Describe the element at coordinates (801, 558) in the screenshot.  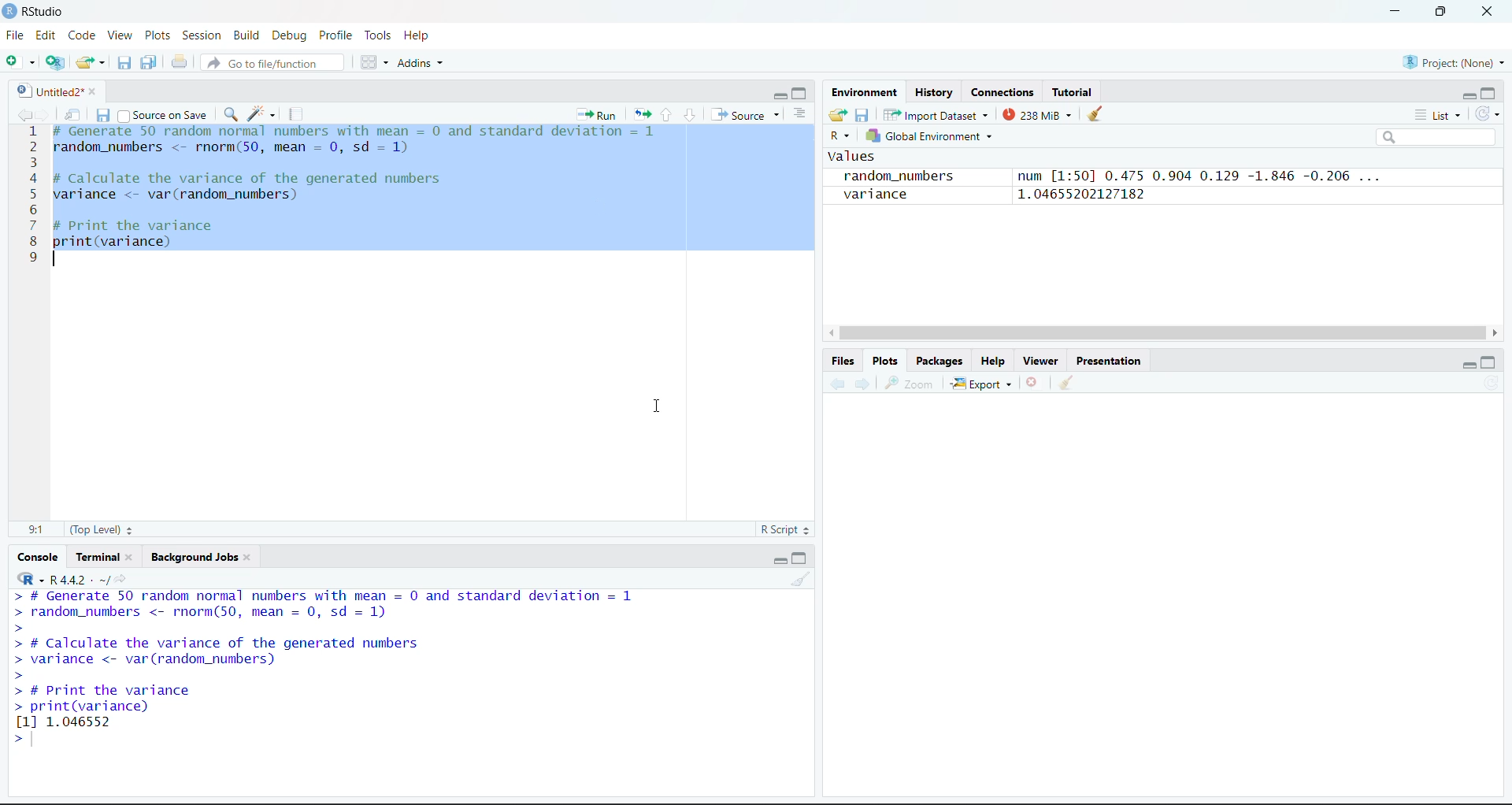
I see `maximize` at that location.